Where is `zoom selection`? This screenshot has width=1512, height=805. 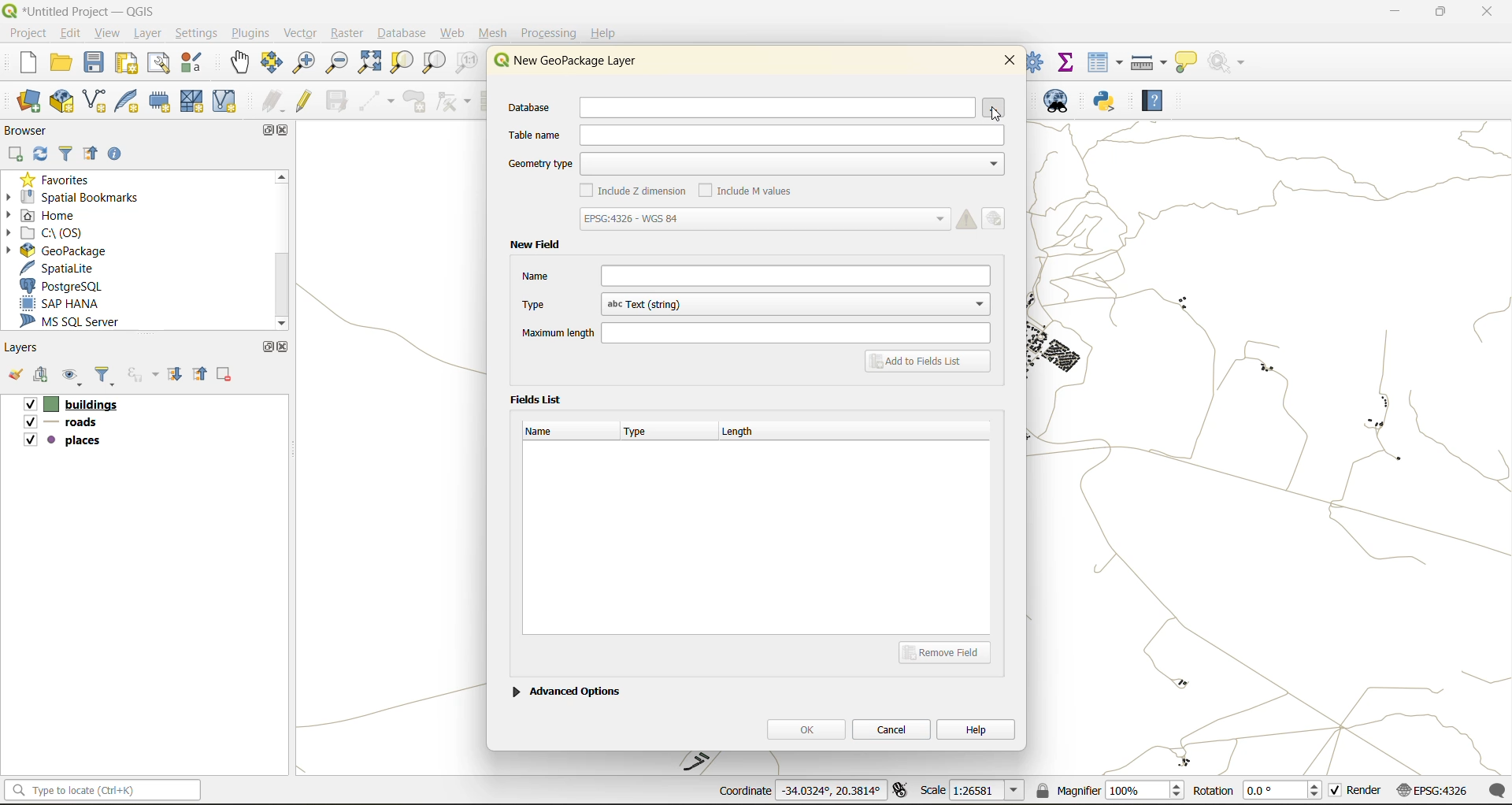 zoom selection is located at coordinates (404, 62).